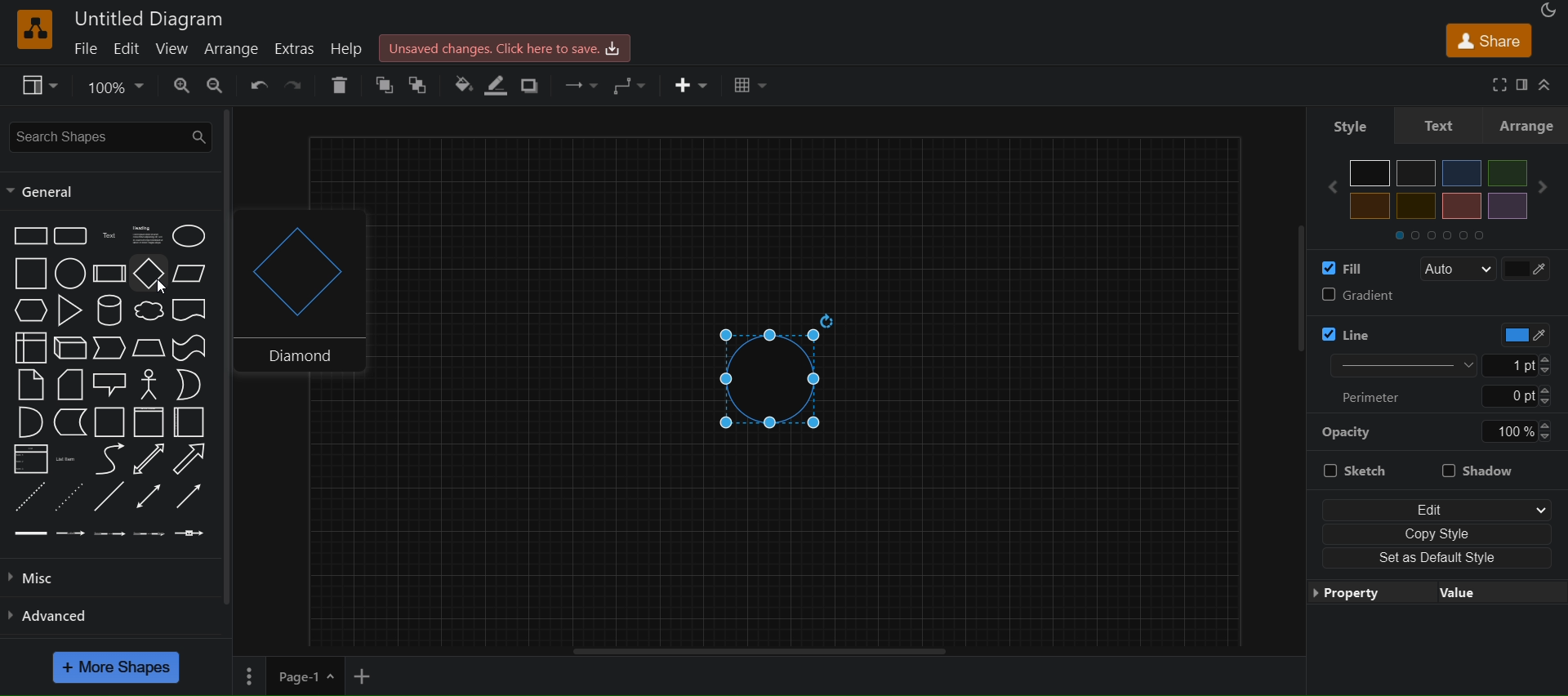 This screenshot has width=1568, height=696. What do you see at coordinates (340, 85) in the screenshot?
I see `delete` at bounding box center [340, 85].